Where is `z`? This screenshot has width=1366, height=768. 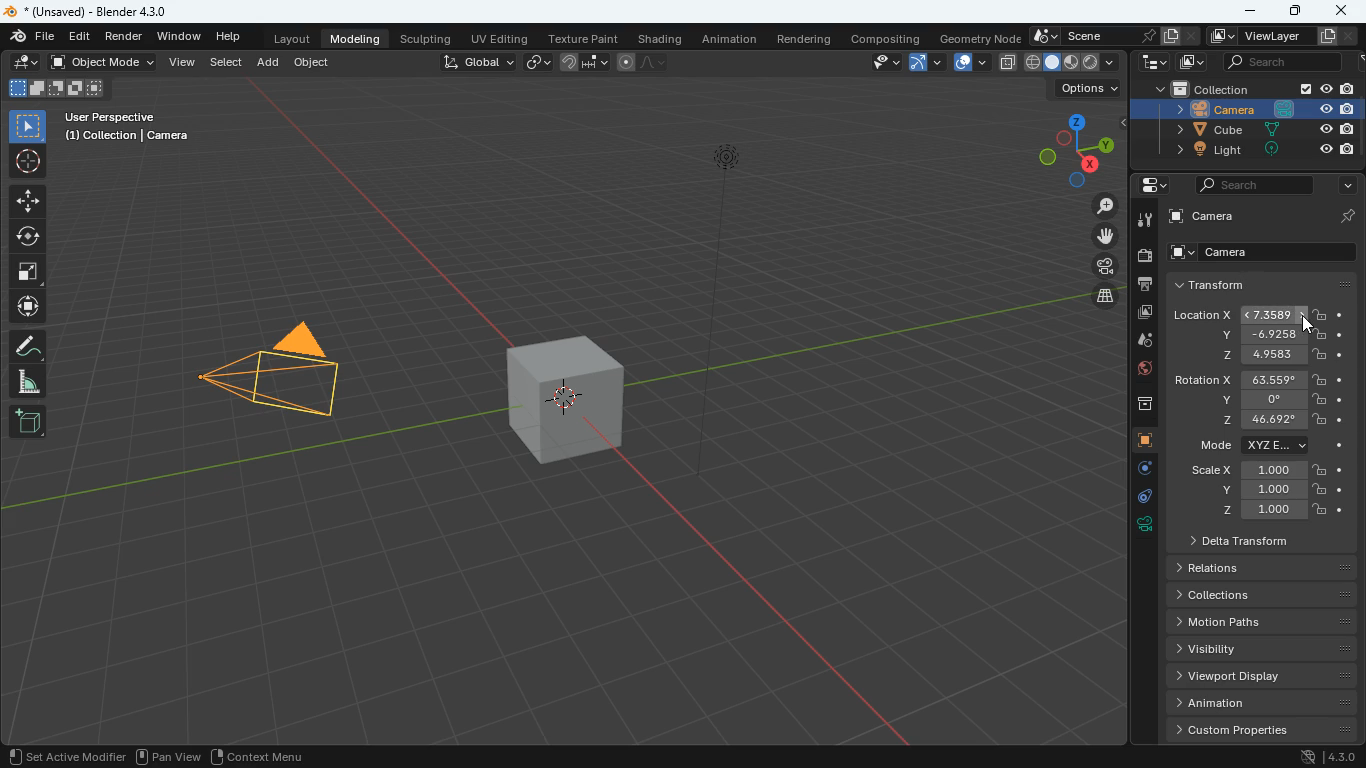
z is located at coordinates (1260, 354).